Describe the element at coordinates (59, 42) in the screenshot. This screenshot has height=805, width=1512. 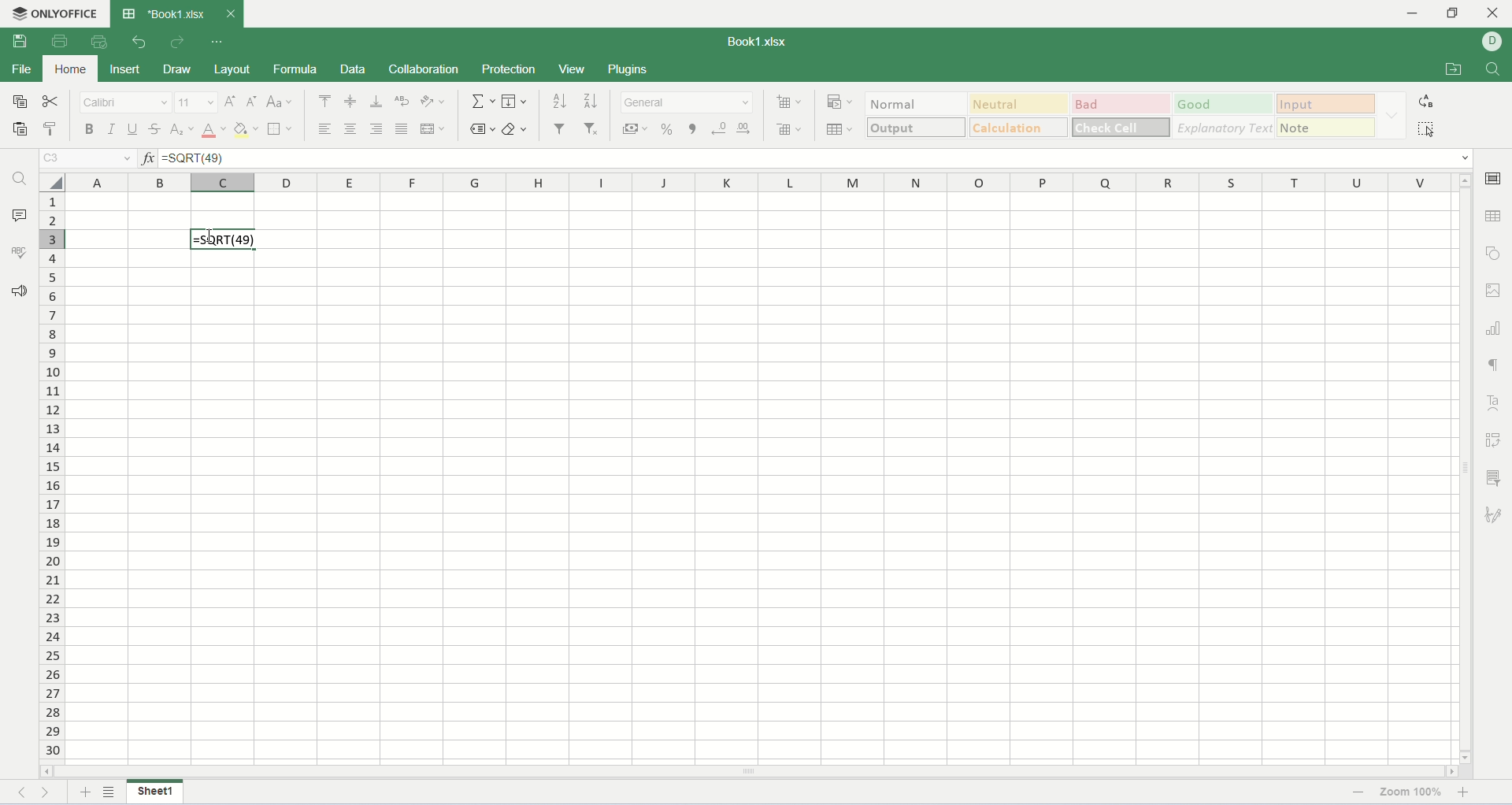
I see `print` at that location.